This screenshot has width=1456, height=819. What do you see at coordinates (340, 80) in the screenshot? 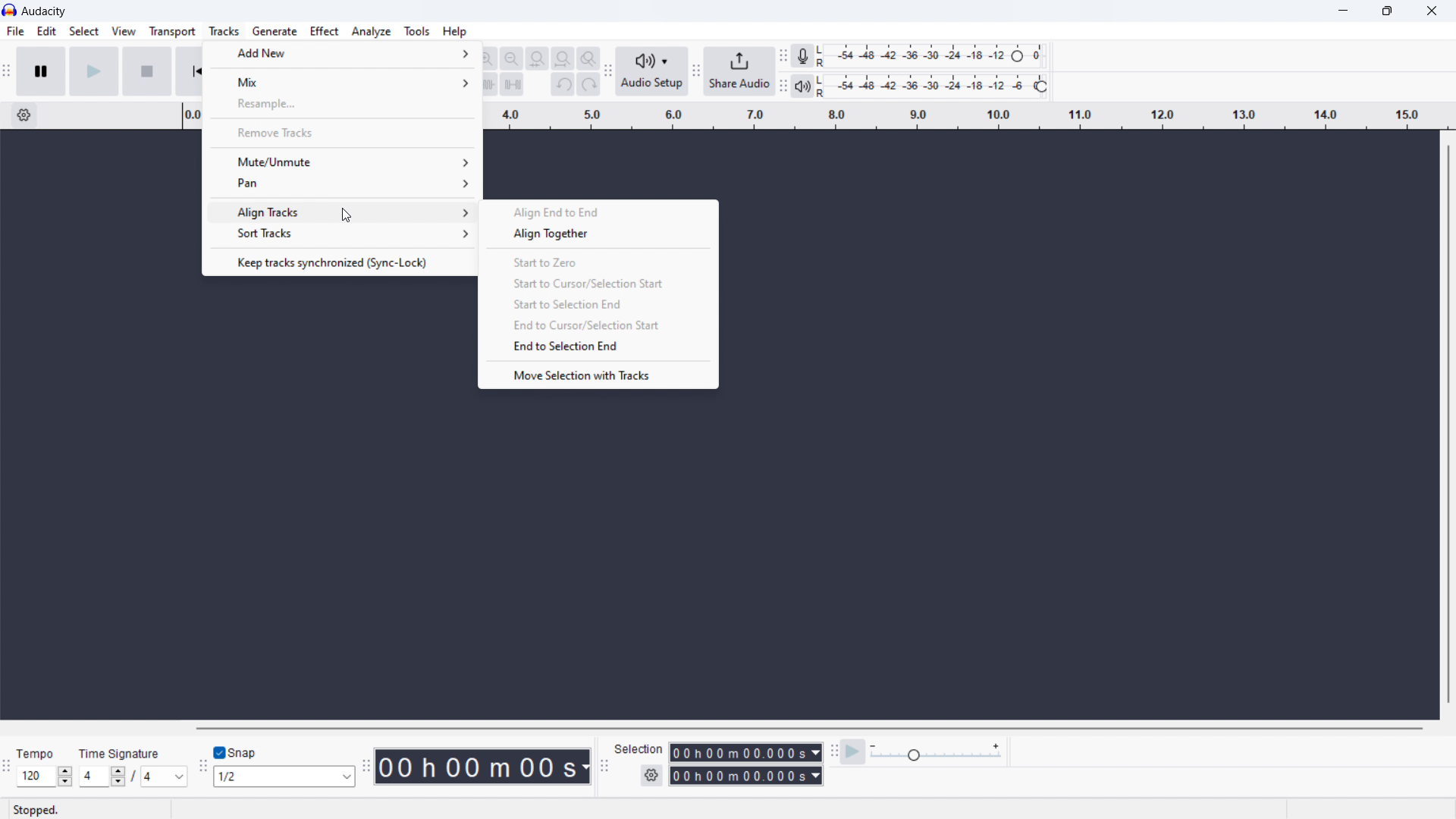
I see `mix` at bounding box center [340, 80].